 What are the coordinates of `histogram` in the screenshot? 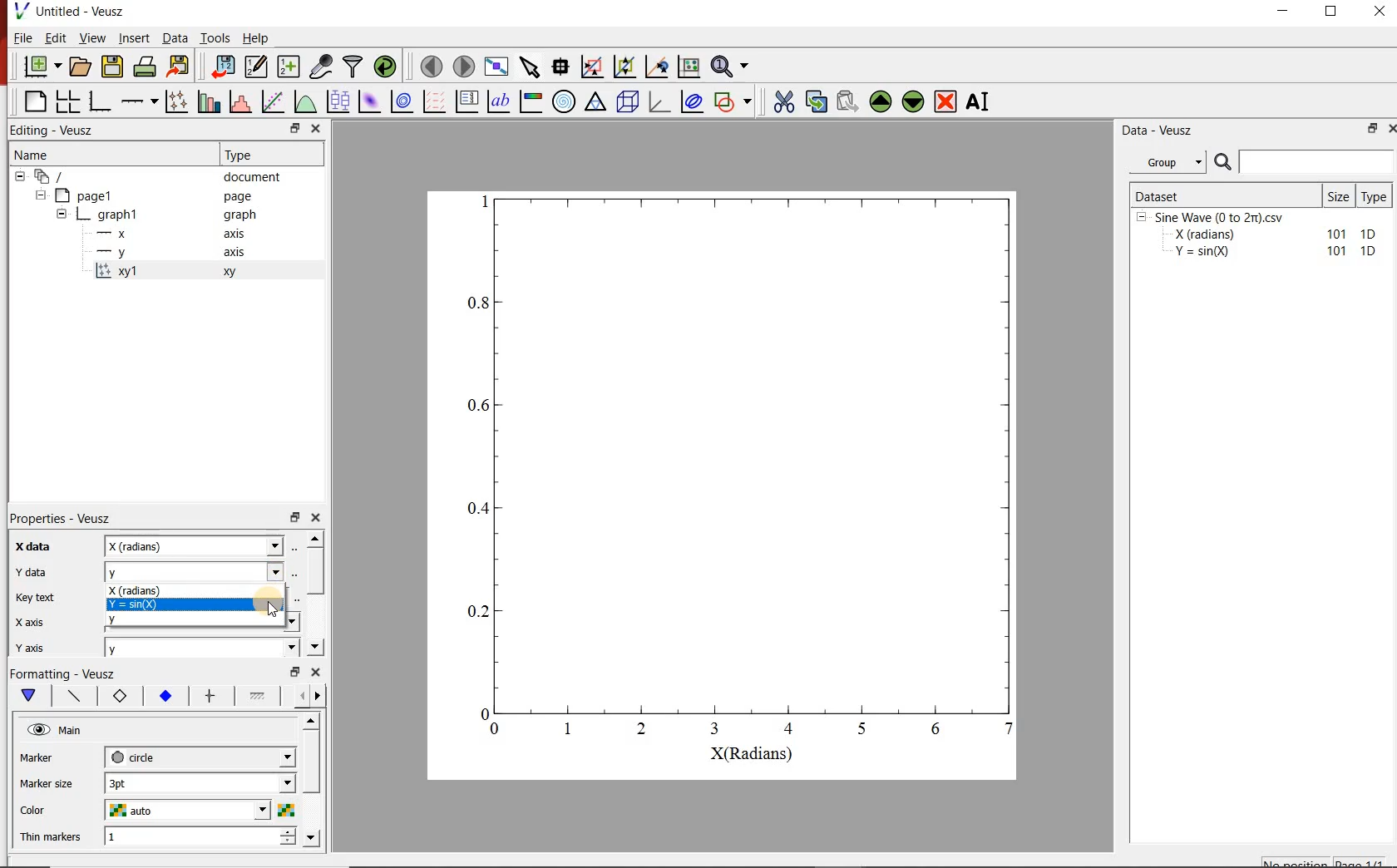 It's located at (242, 101).